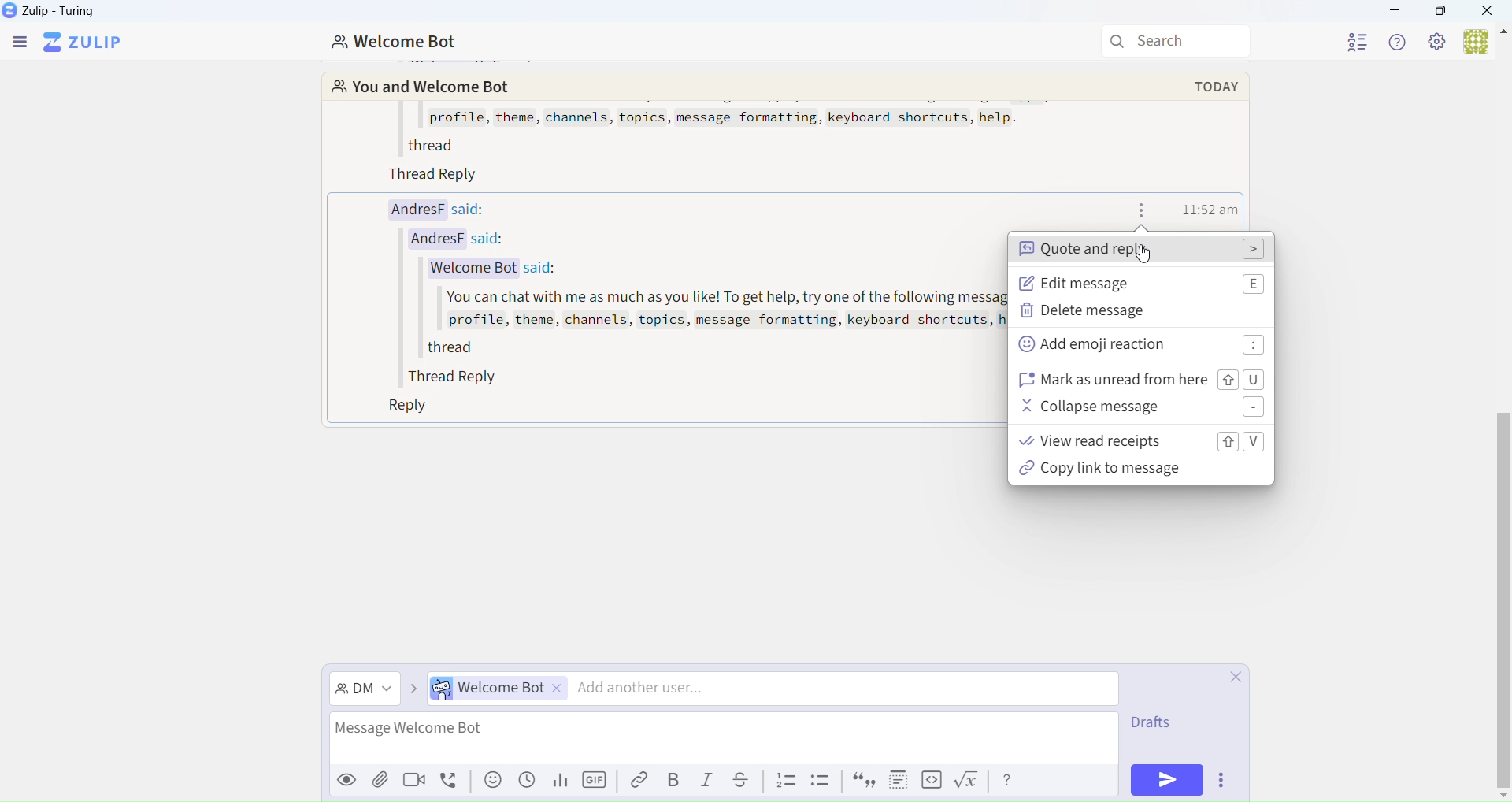 This screenshot has width=1512, height=802. I want to click on Message actions, so click(1140, 213).